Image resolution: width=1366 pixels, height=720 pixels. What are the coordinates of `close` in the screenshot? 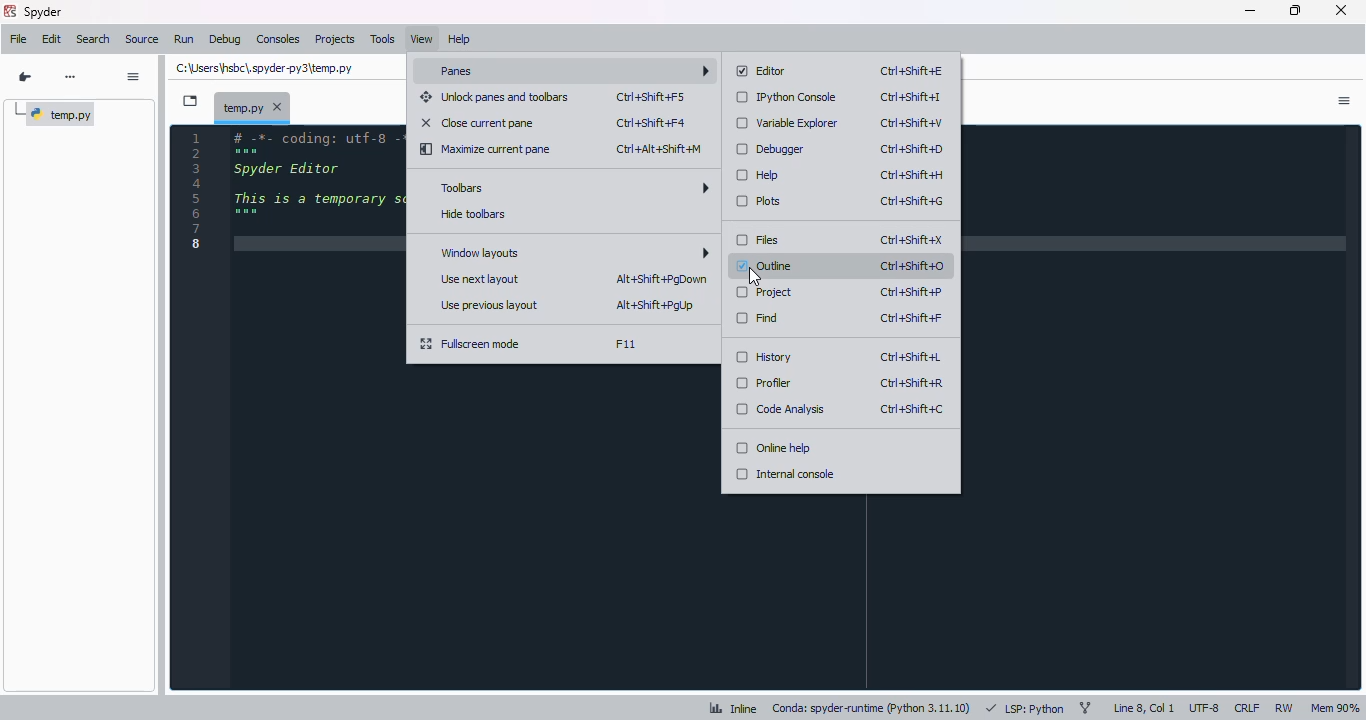 It's located at (1343, 10).